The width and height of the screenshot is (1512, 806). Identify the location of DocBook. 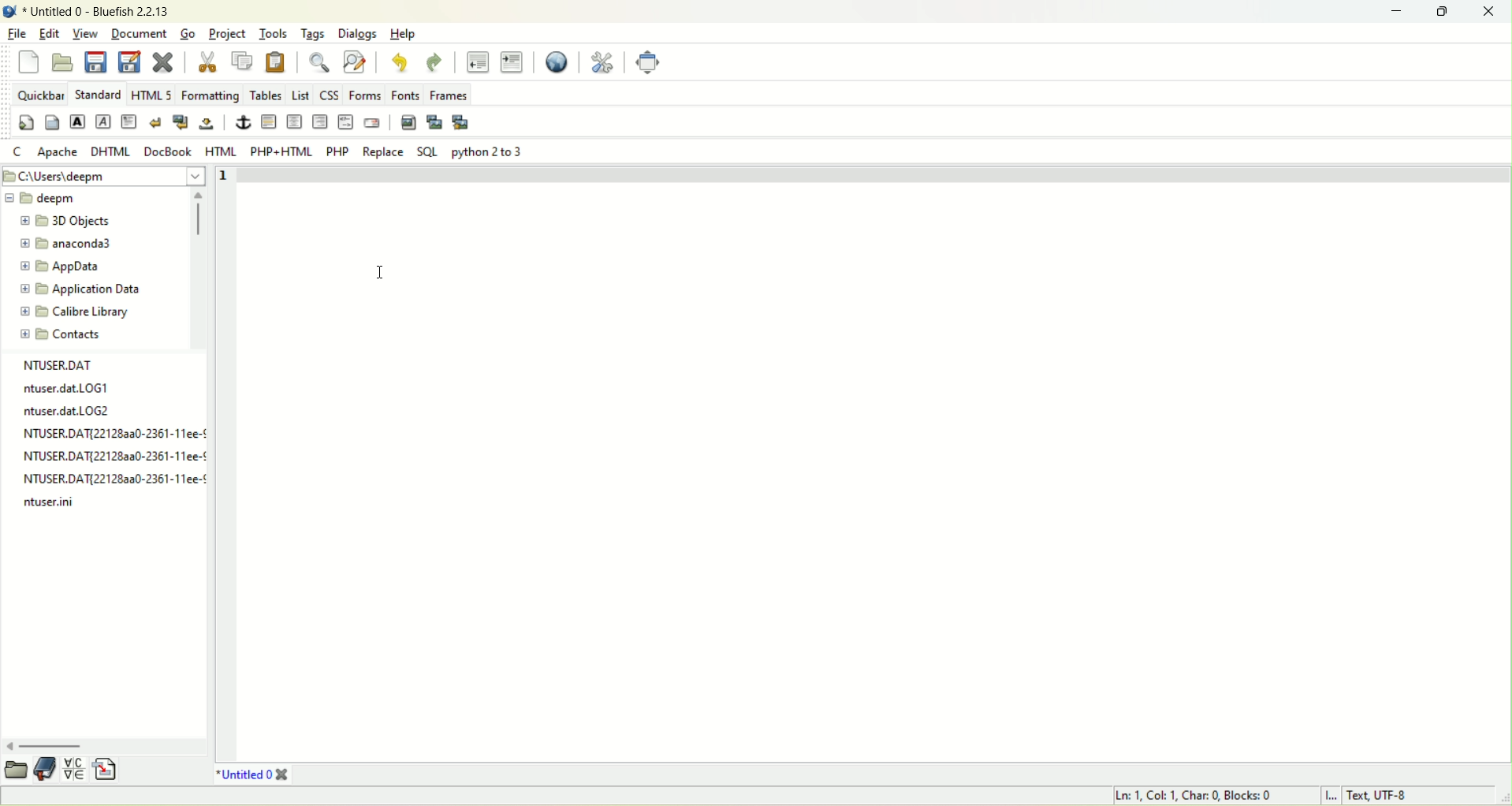
(166, 151).